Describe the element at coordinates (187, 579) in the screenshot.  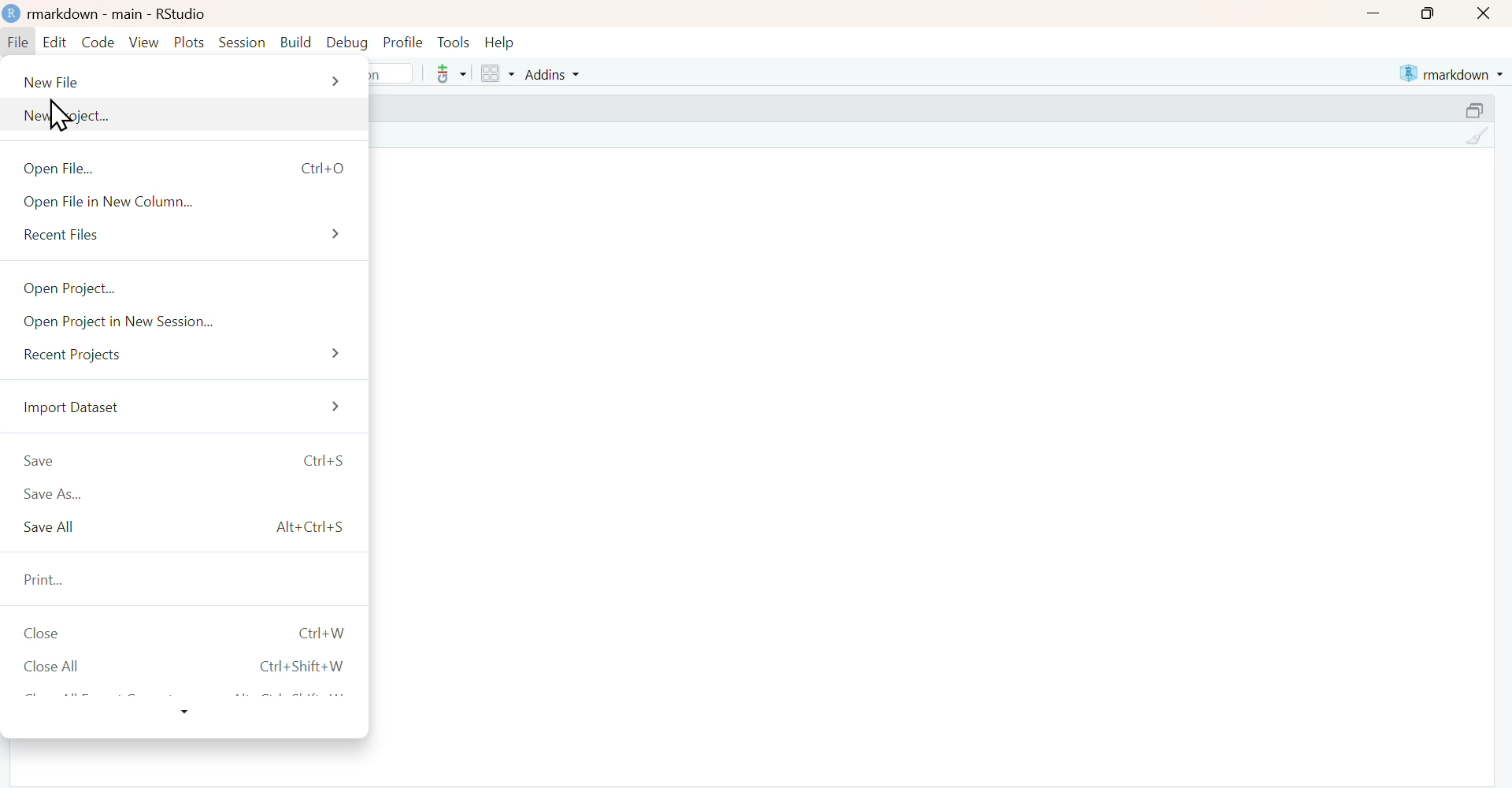
I see `print` at that location.